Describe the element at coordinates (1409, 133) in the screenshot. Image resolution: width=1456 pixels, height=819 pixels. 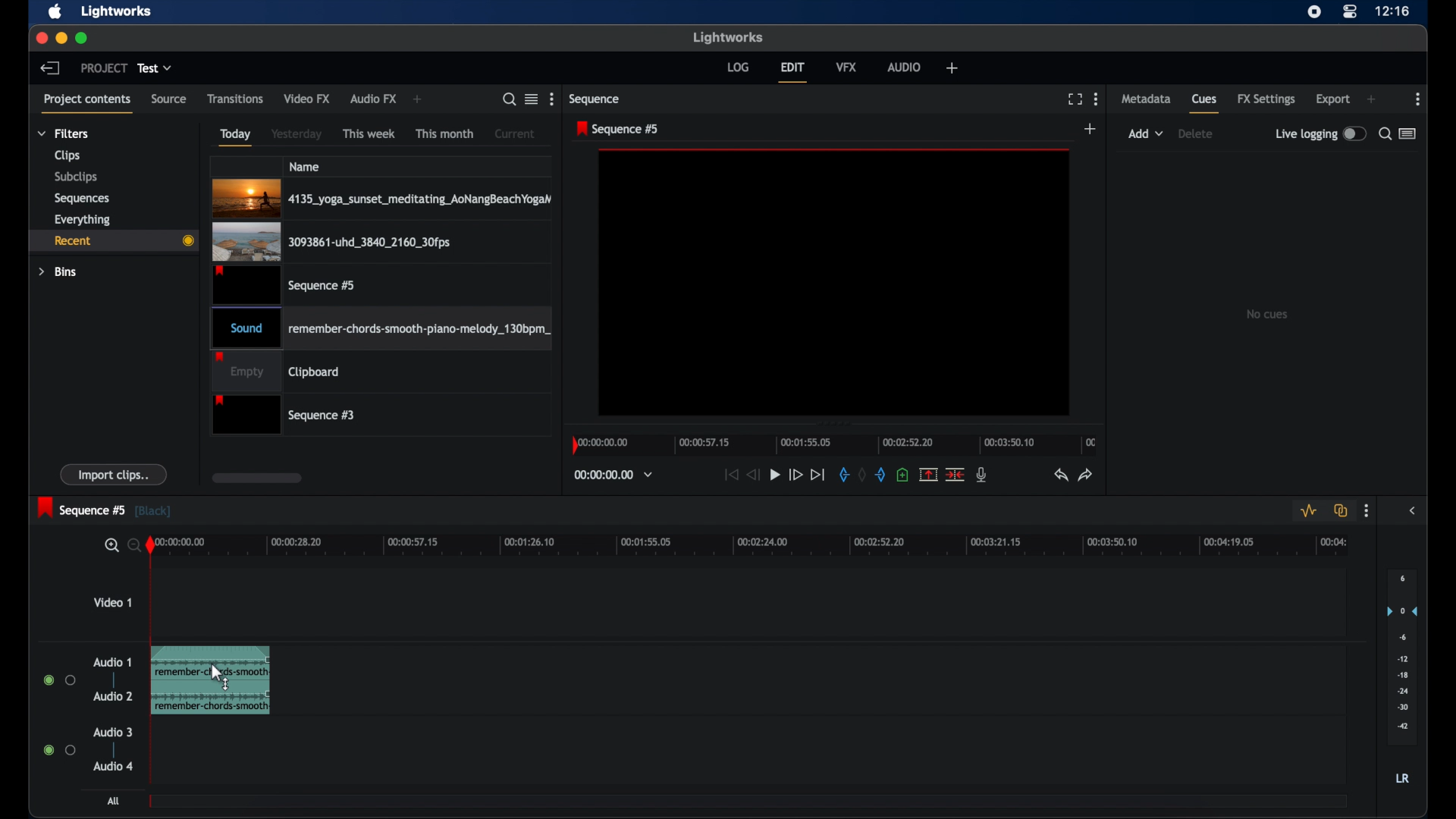
I see `toggle list or logger view` at that location.